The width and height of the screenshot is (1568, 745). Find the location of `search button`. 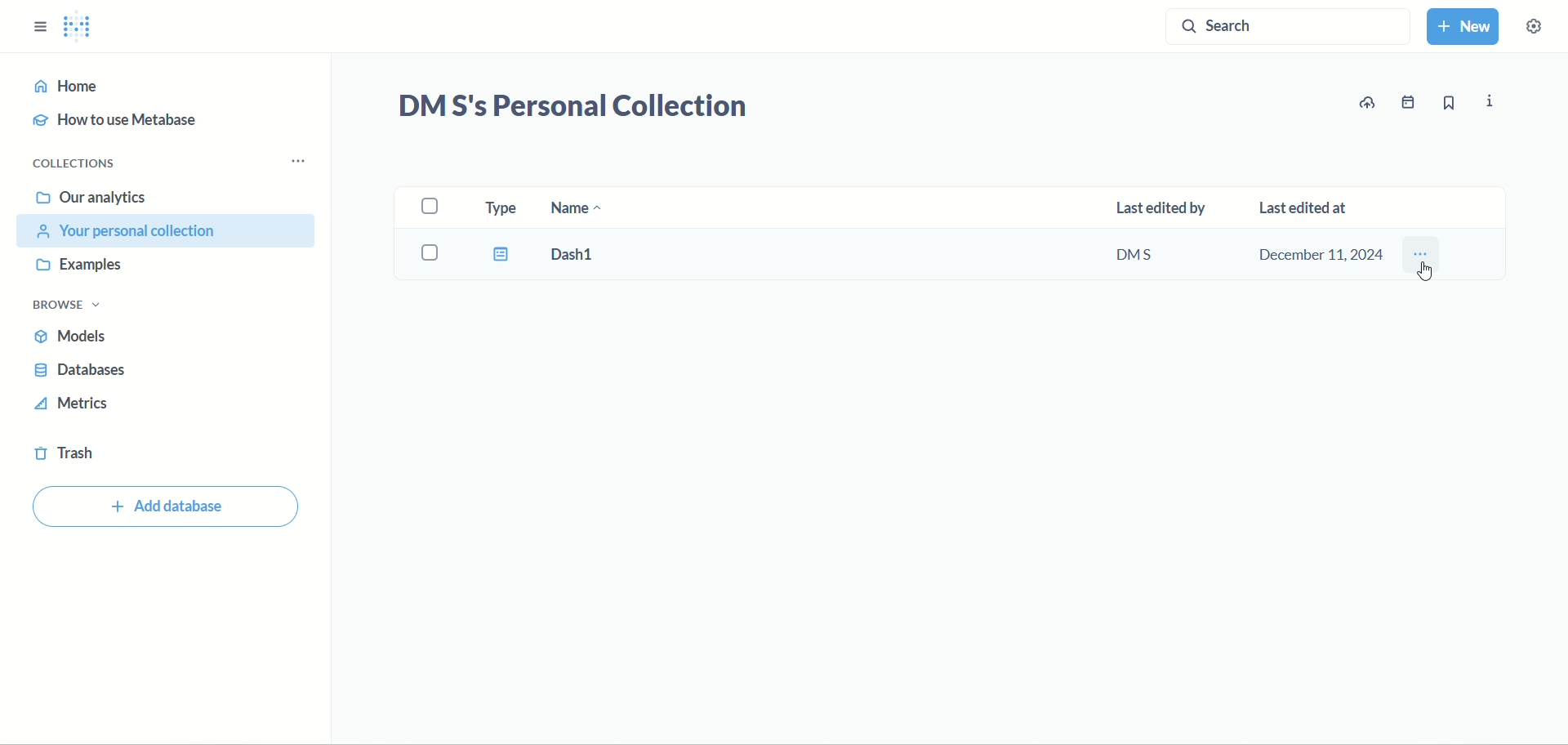

search button is located at coordinates (1286, 30).